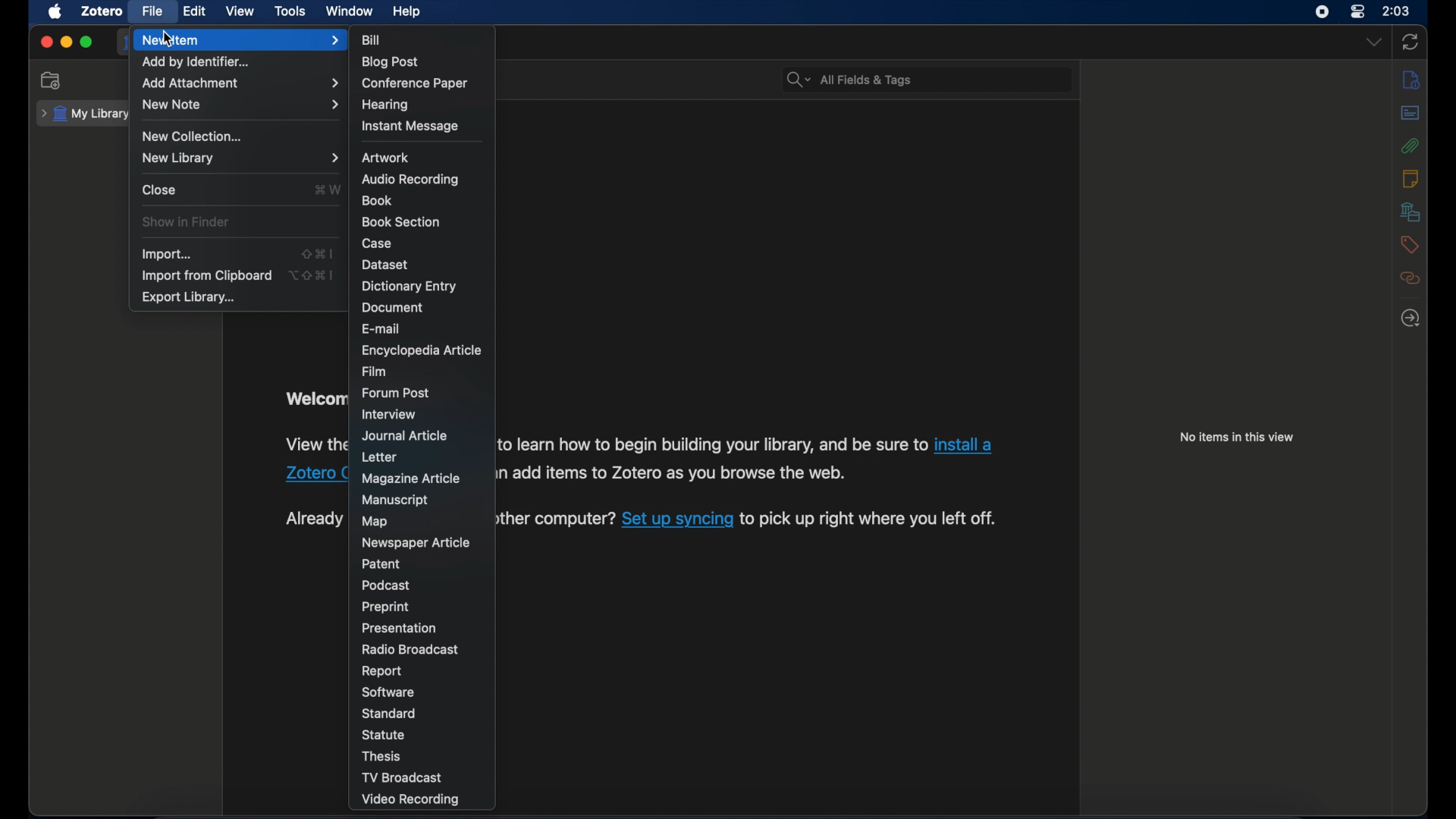 The width and height of the screenshot is (1456, 819). What do you see at coordinates (387, 106) in the screenshot?
I see `hearing` at bounding box center [387, 106].